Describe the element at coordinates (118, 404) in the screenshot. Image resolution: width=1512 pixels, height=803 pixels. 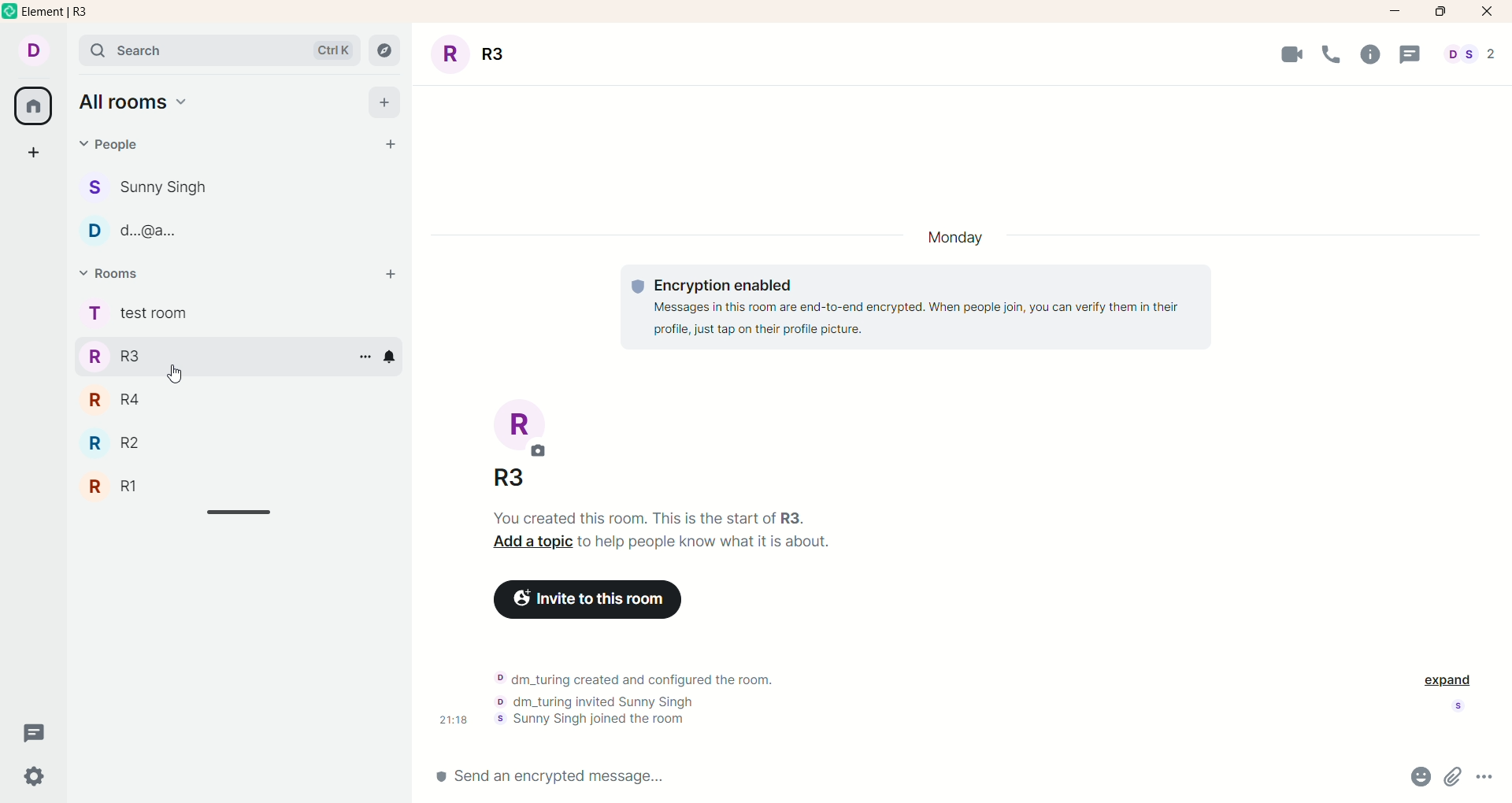
I see `R4` at that location.